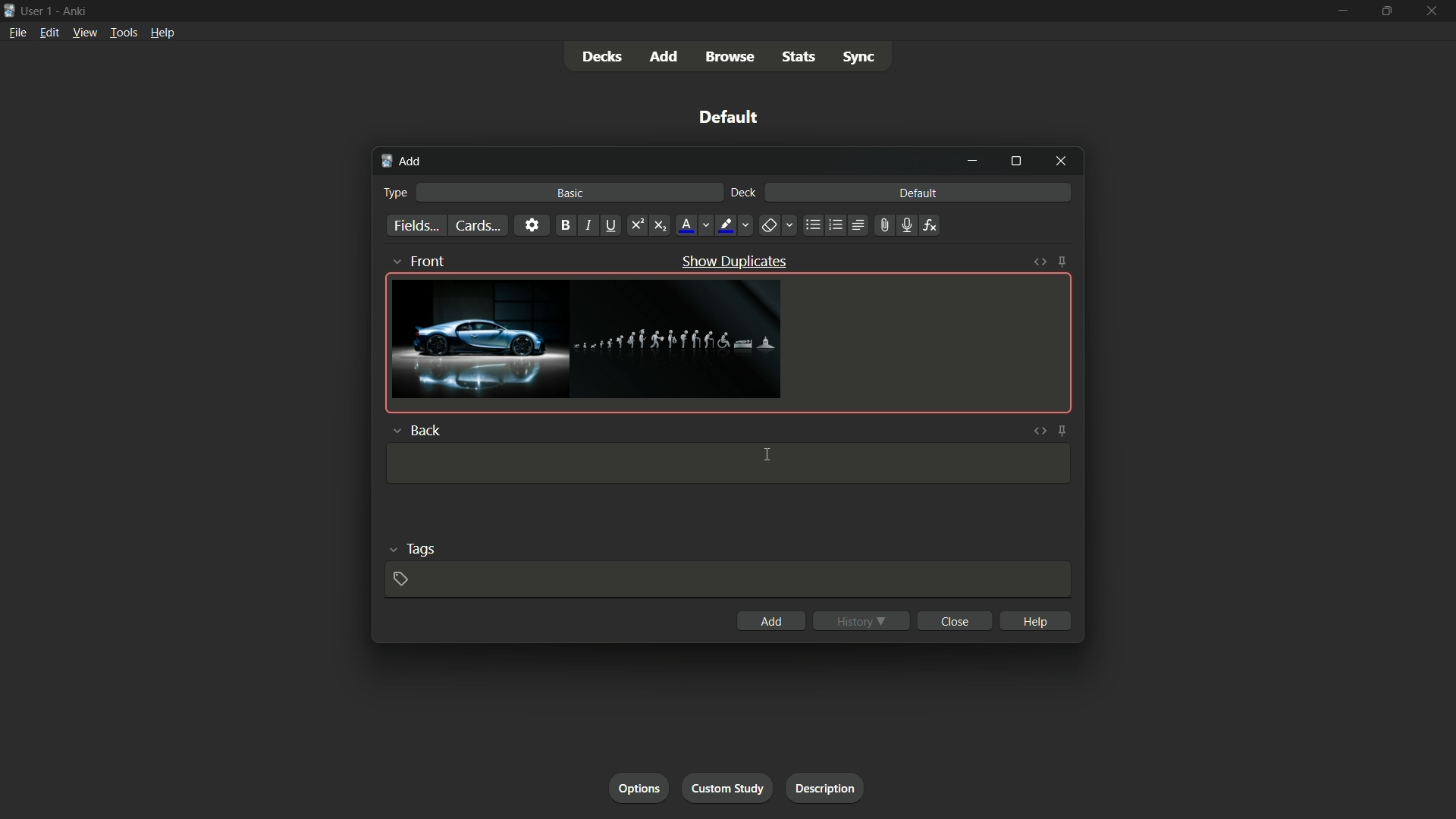  What do you see at coordinates (930, 224) in the screenshot?
I see `equation` at bounding box center [930, 224].